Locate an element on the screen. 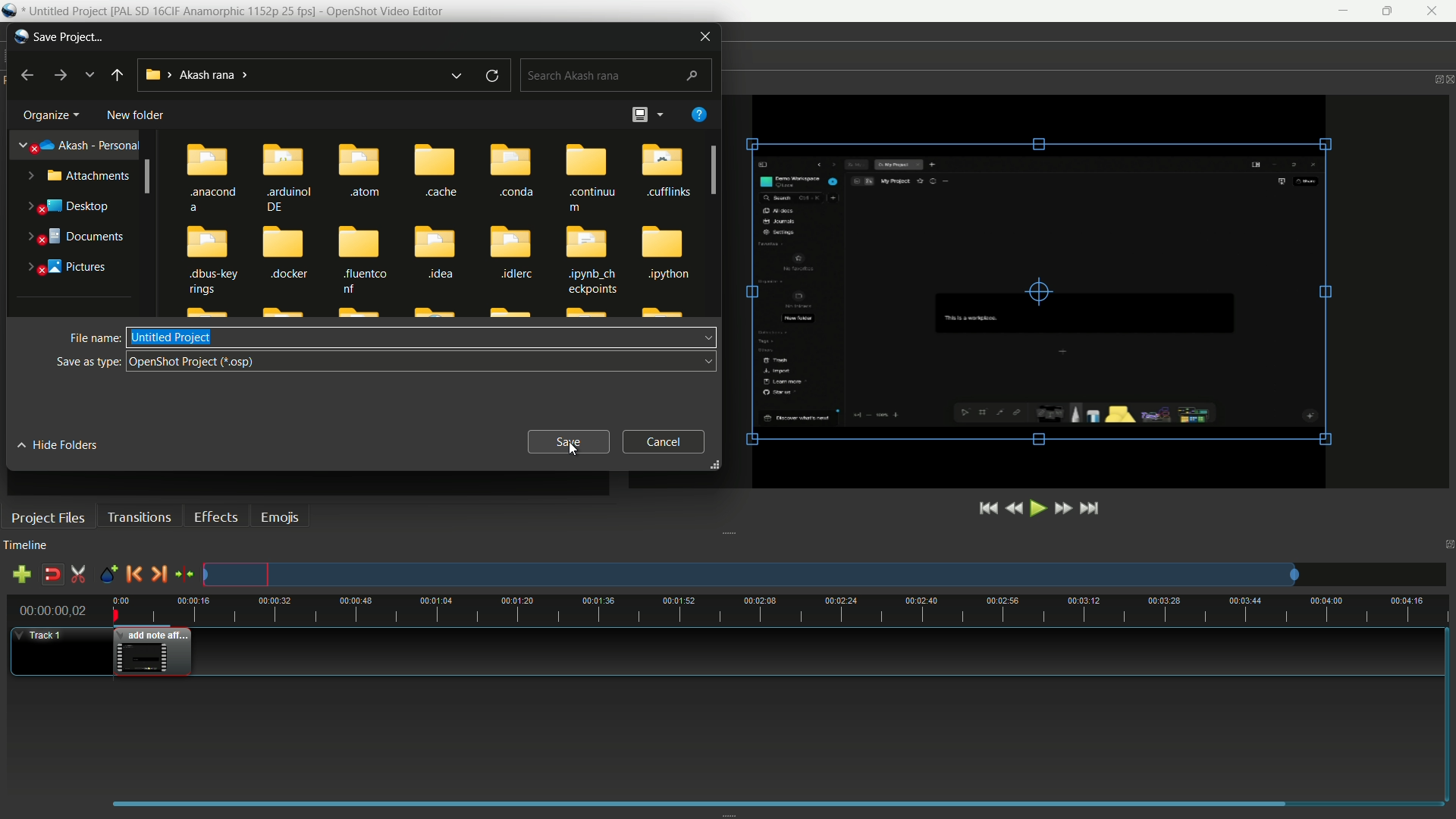 The image size is (1456, 819). jump to end is located at coordinates (1090, 507).